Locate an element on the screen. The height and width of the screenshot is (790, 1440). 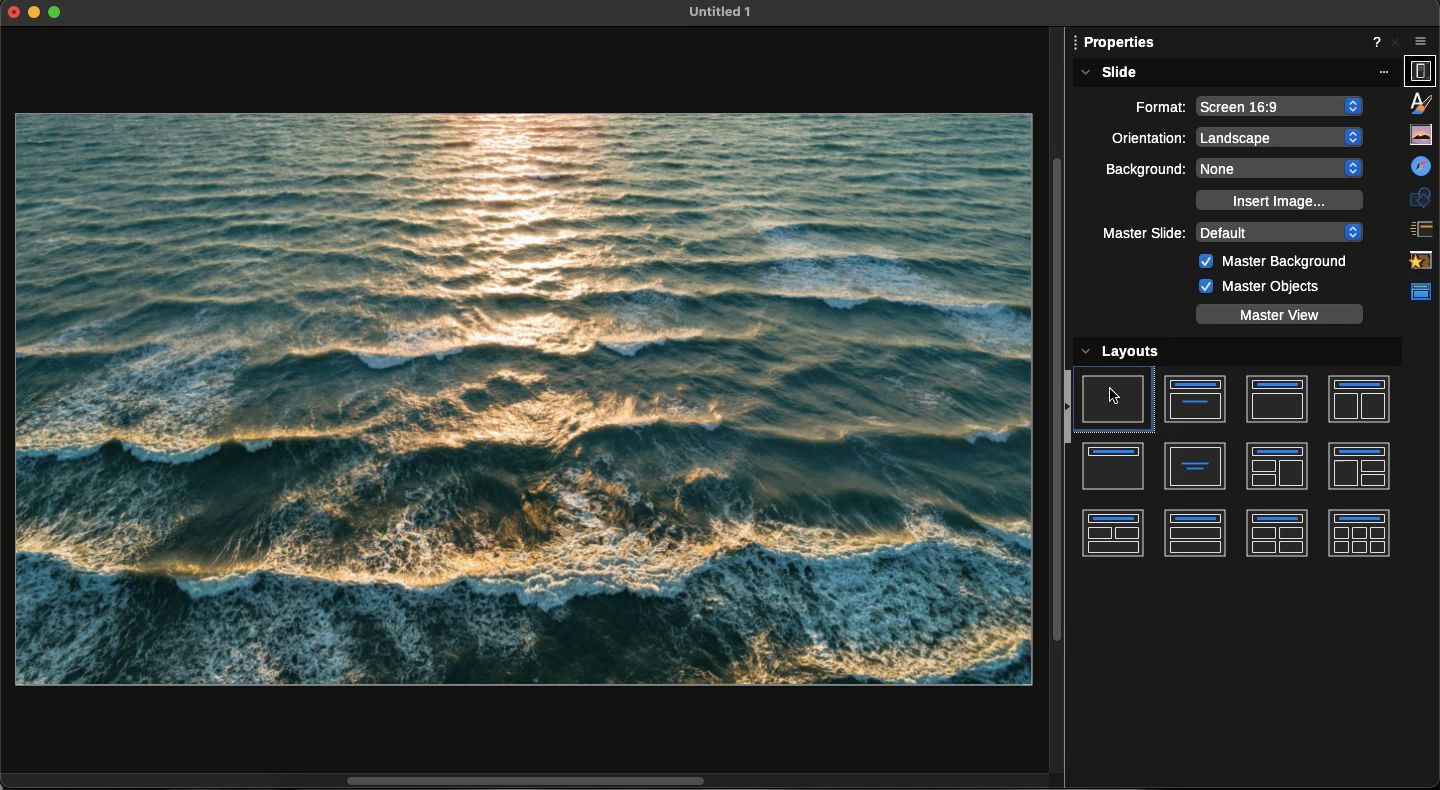
Title and four boxes is located at coordinates (1276, 533).